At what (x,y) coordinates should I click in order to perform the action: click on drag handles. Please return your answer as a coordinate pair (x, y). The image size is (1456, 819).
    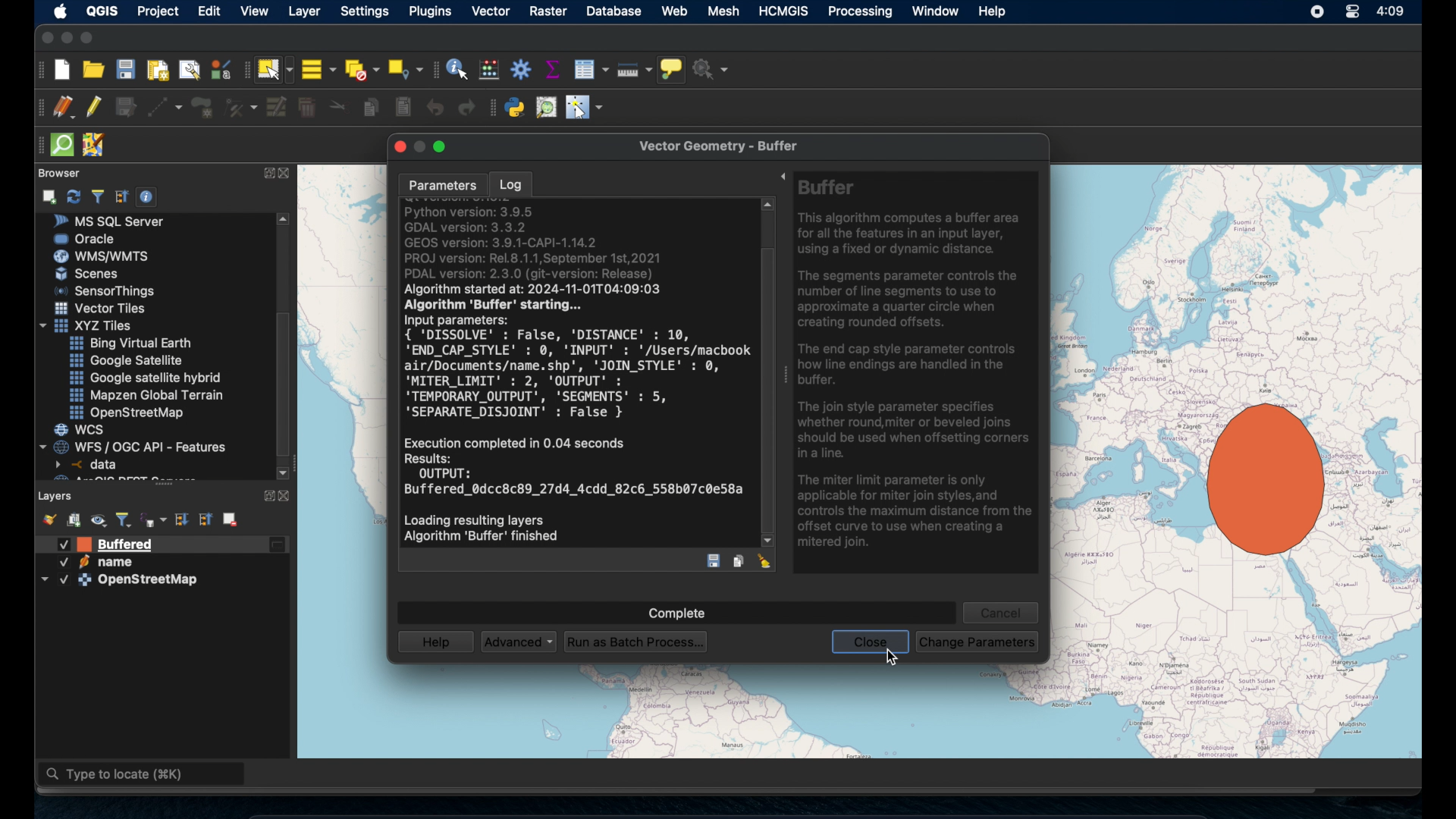
    Looking at the image, I should click on (37, 143).